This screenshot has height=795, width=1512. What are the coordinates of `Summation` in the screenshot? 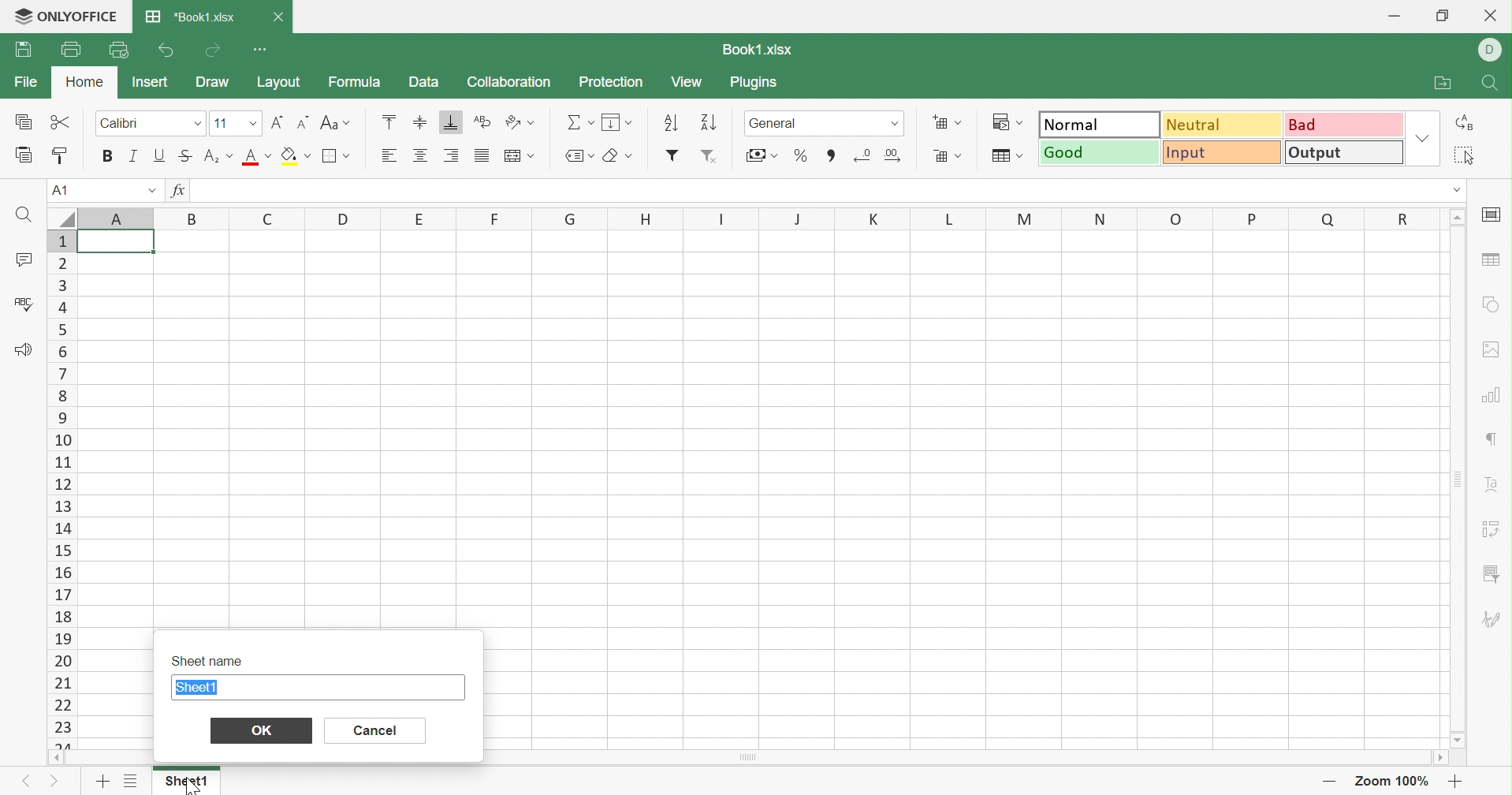 It's located at (579, 118).